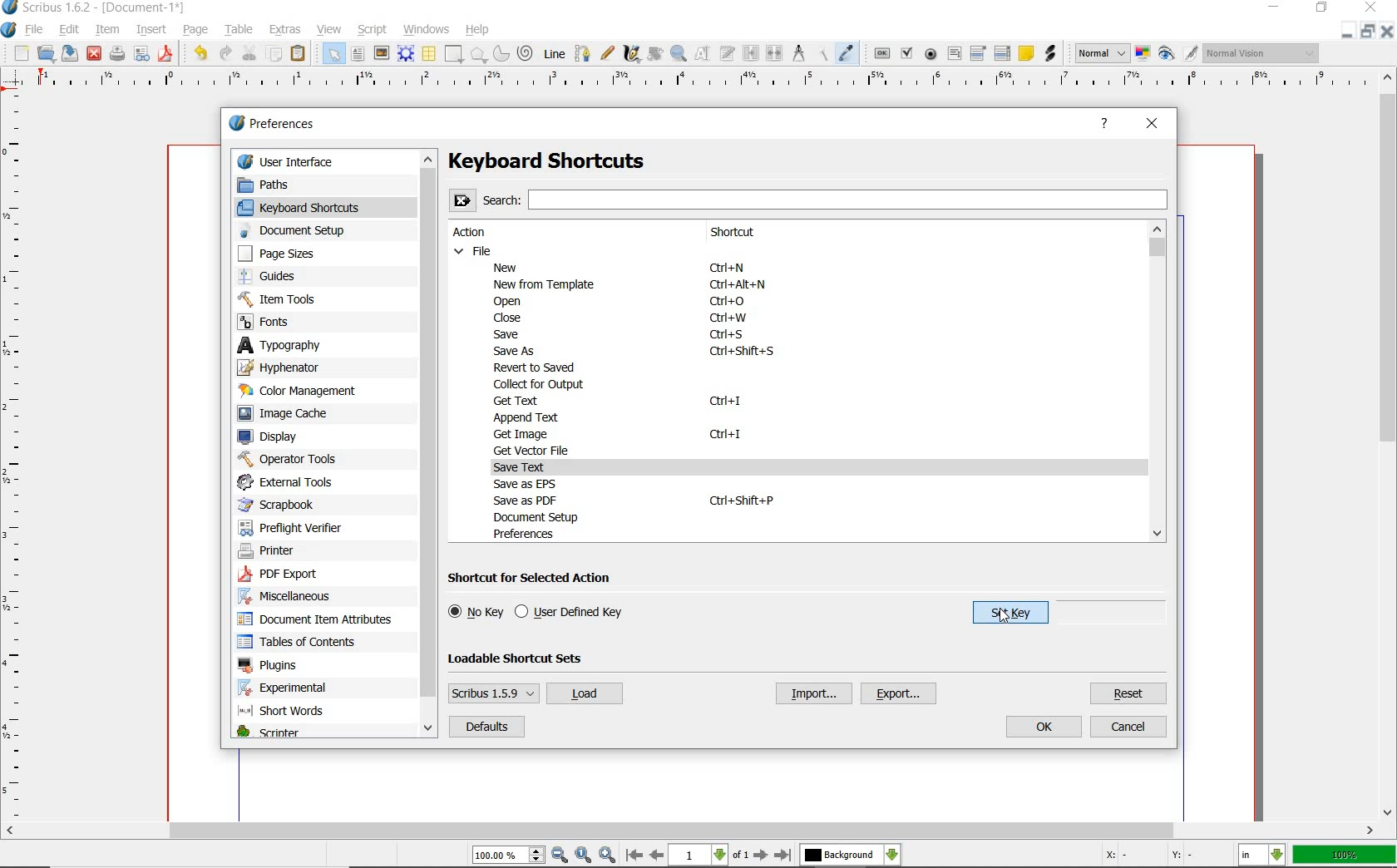 This screenshot has height=868, width=1397. Describe the element at coordinates (478, 31) in the screenshot. I see `help` at that location.